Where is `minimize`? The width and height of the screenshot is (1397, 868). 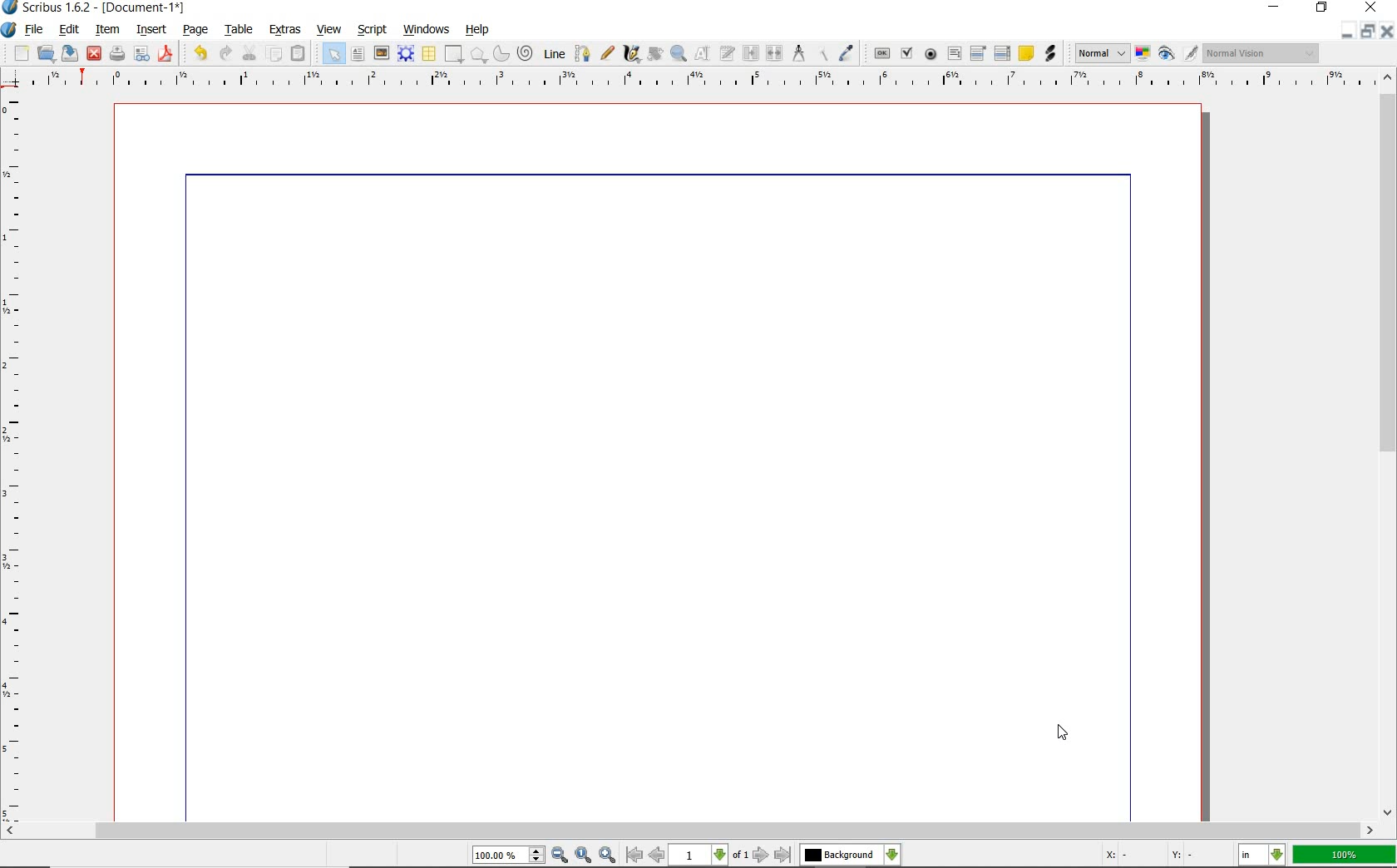
minimize is located at coordinates (1349, 31).